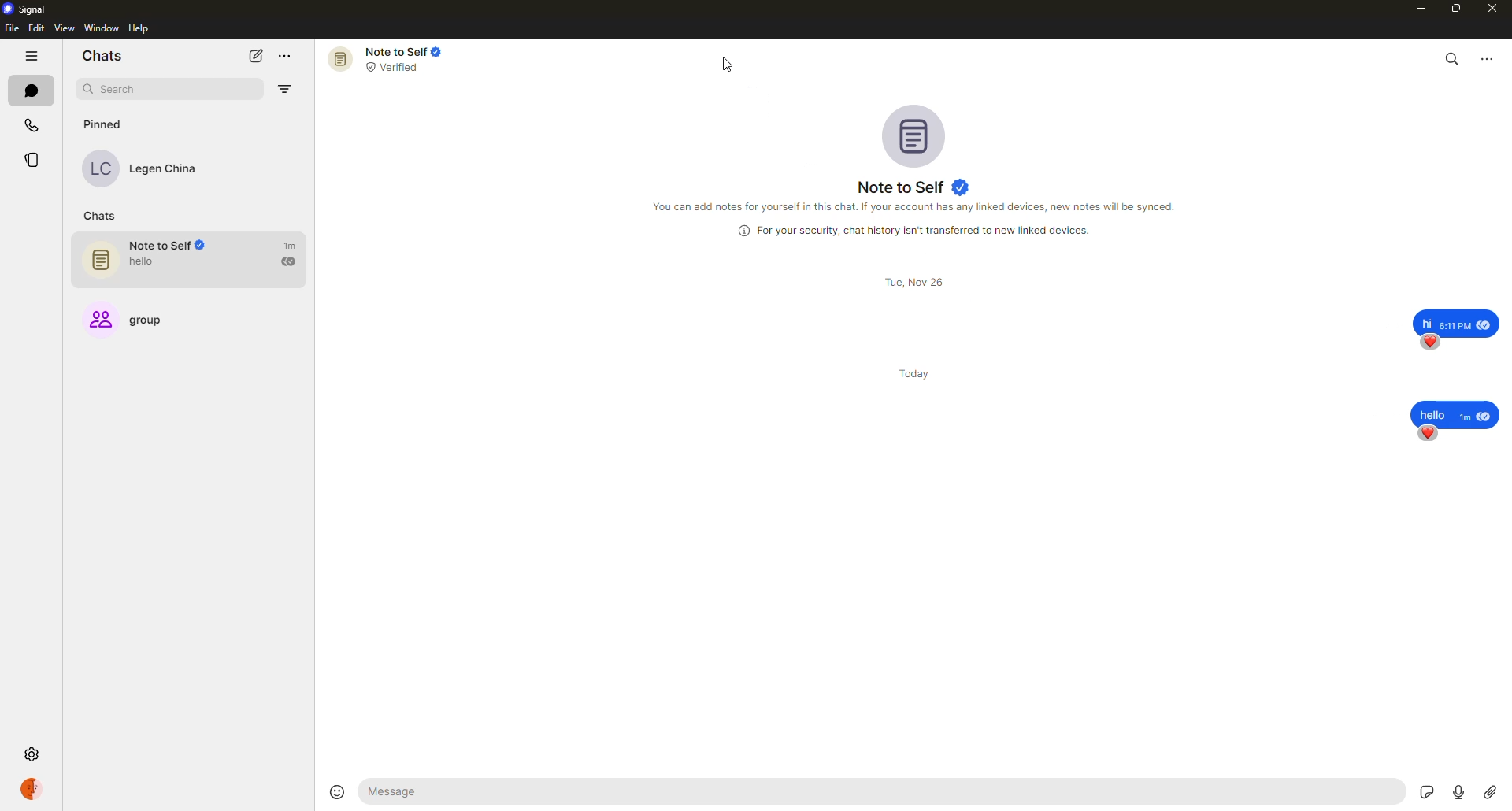 This screenshot has height=811, width=1512. Describe the element at coordinates (1488, 57) in the screenshot. I see `more` at that location.